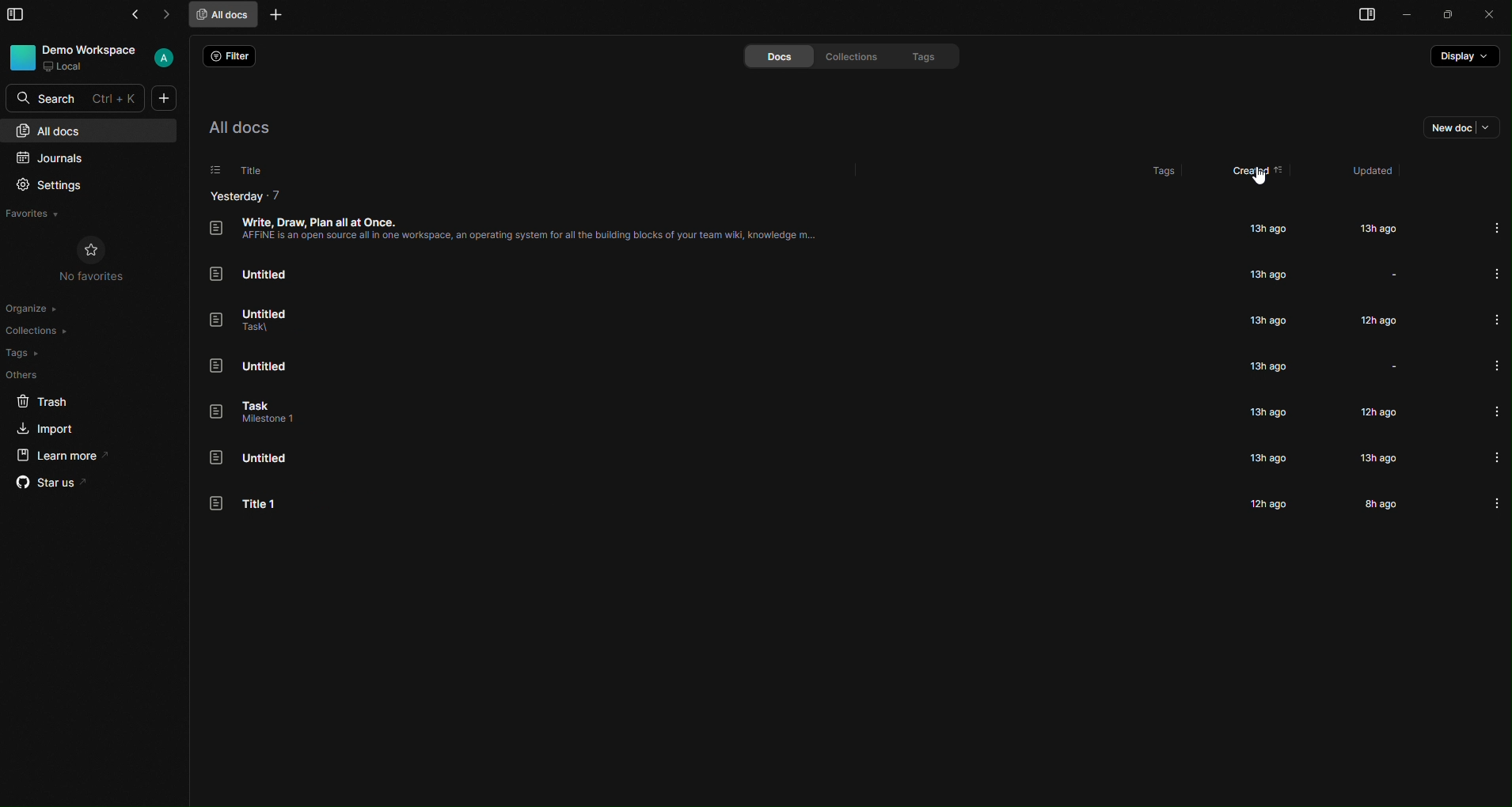 The height and width of the screenshot is (807, 1512). I want to click on no favorites , so click(99, 260).